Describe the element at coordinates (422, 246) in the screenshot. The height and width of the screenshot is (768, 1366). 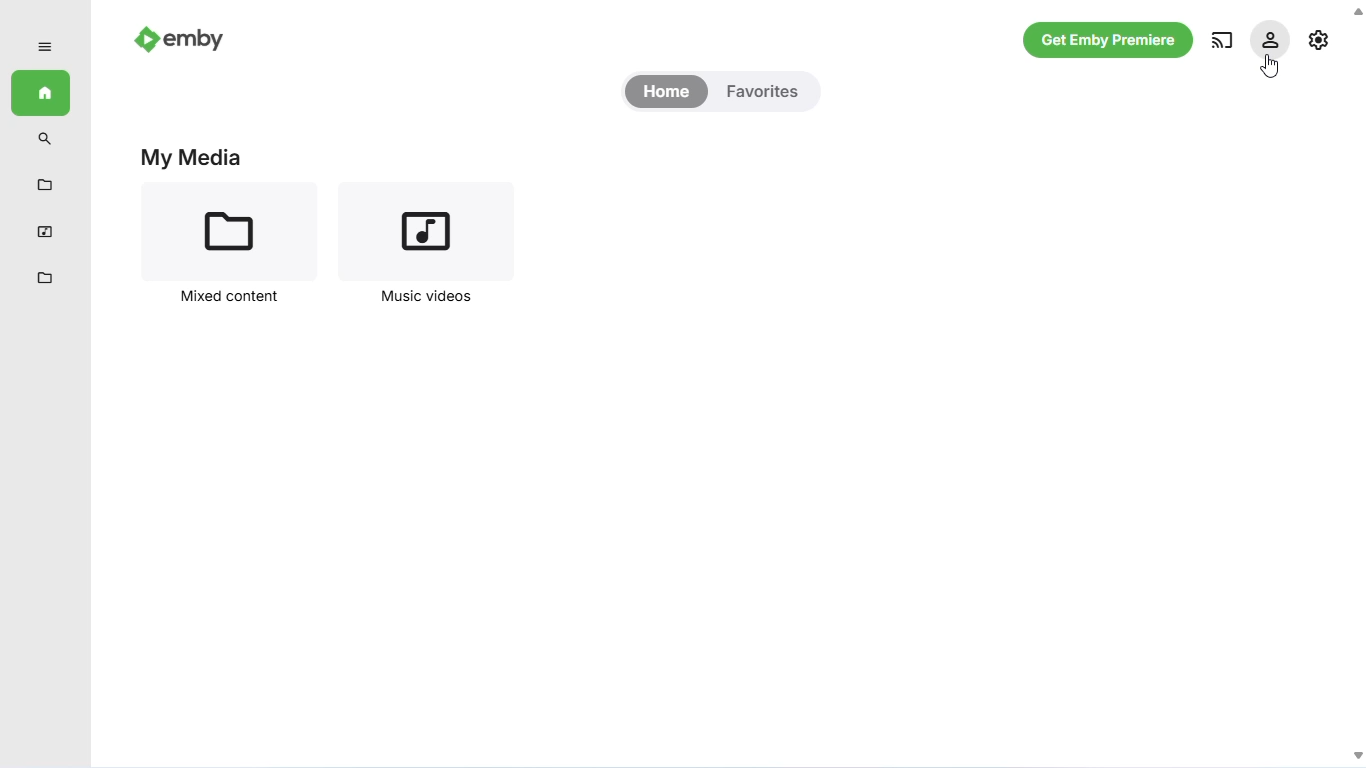
I see `music videos` at that location.